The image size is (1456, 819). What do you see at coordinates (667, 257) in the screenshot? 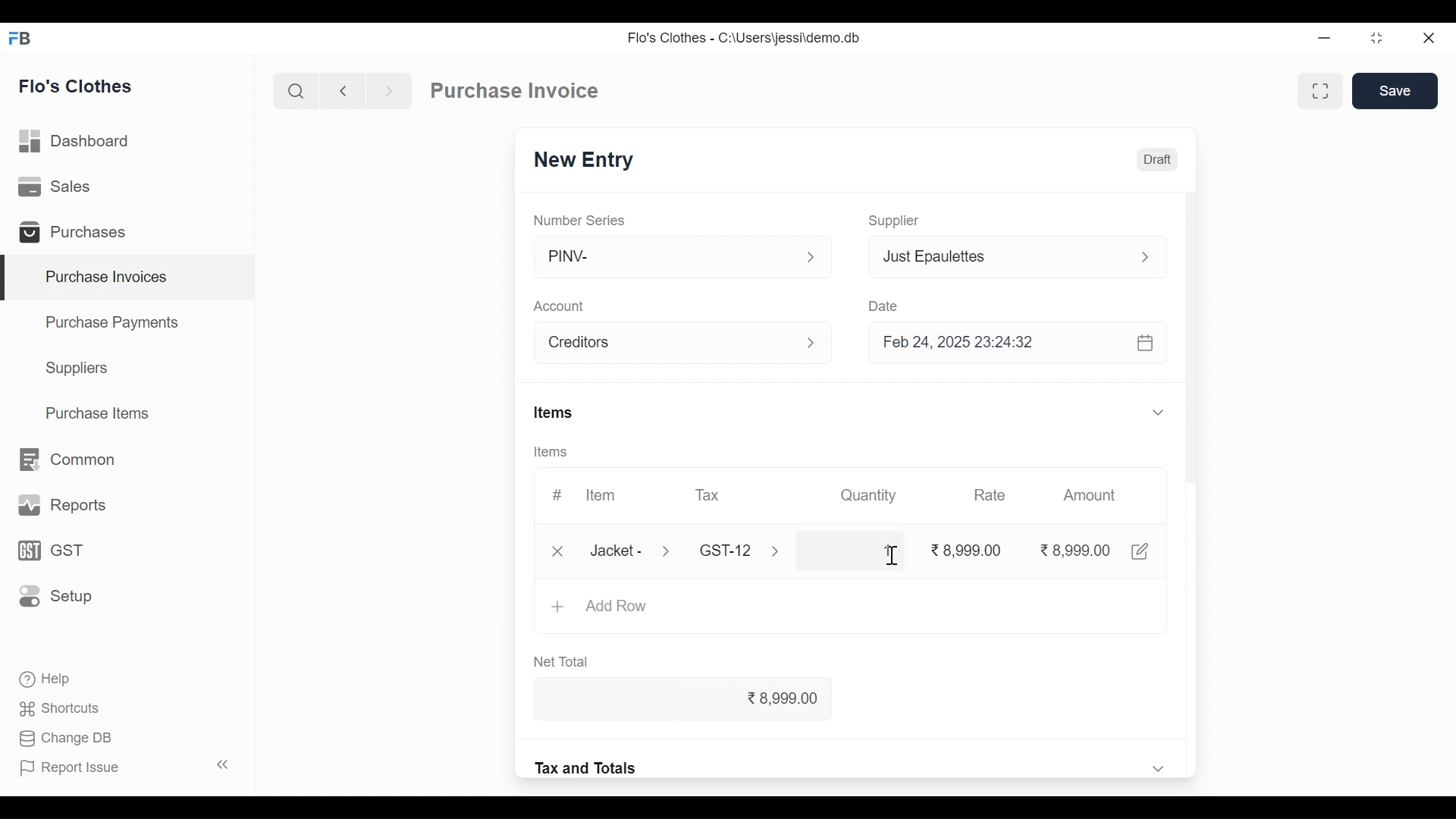
I see `PINV-` at bounding box center [667, 257].